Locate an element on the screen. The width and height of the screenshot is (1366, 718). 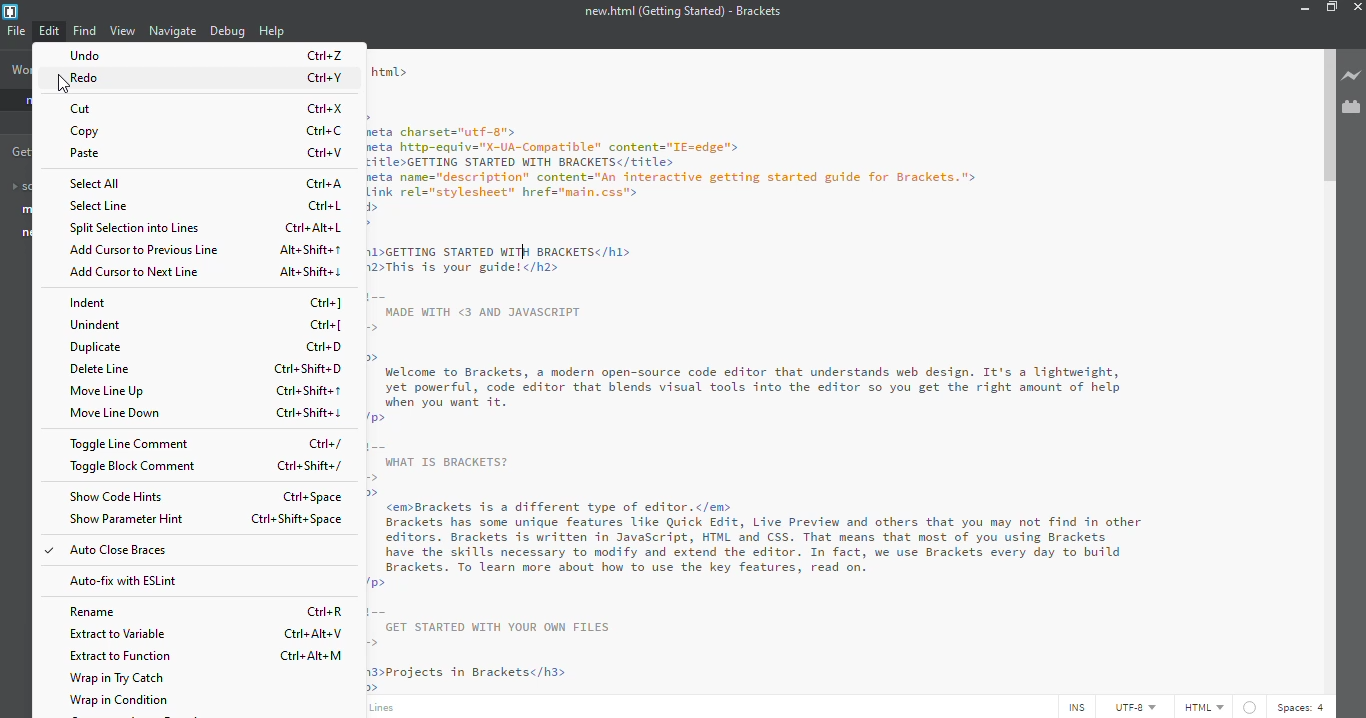
auto fix is located at coordinates (129, 580).